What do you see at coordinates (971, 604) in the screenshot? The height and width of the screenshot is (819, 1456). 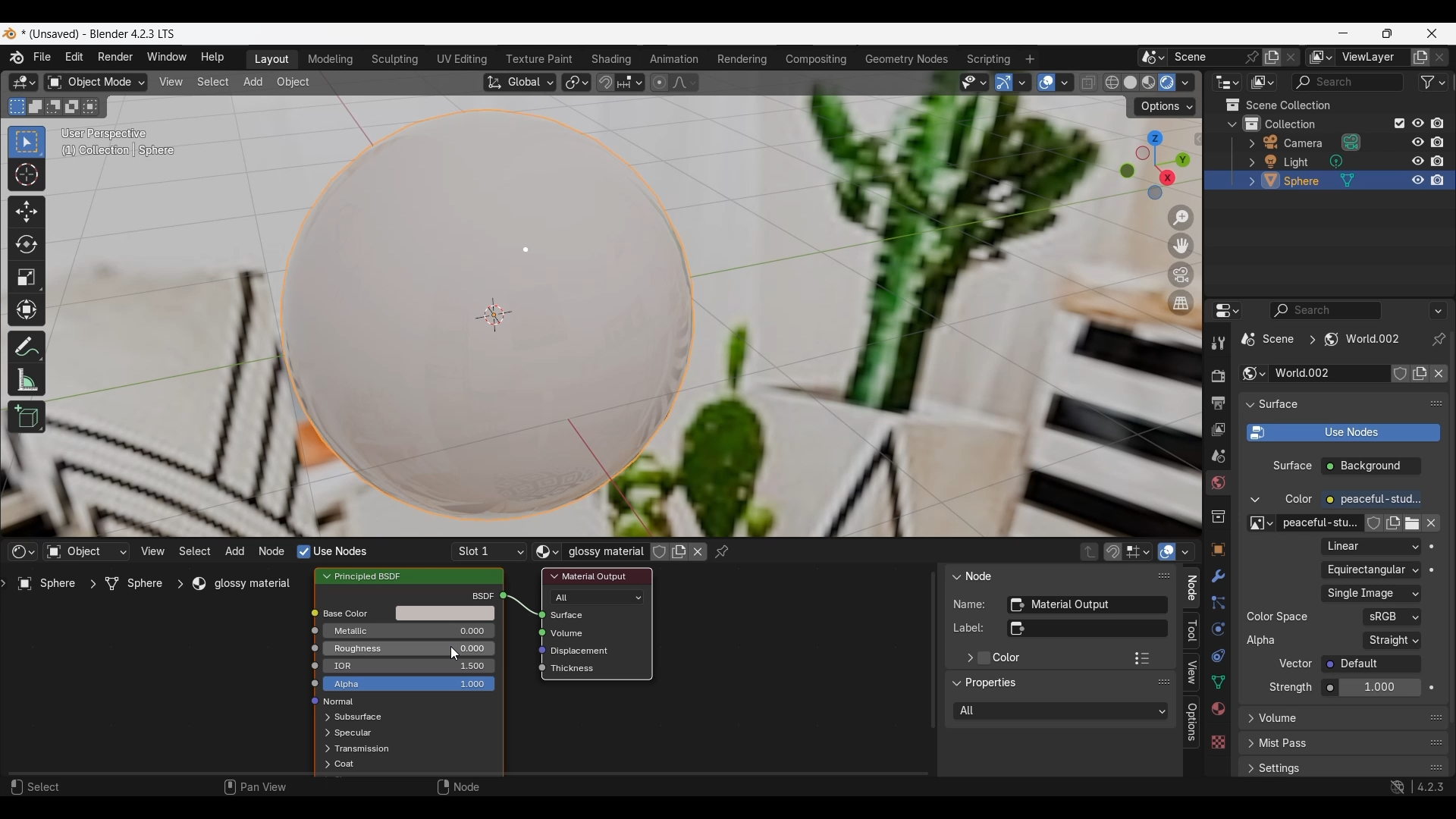 I see `Name:` at bounding box center [971, 604].